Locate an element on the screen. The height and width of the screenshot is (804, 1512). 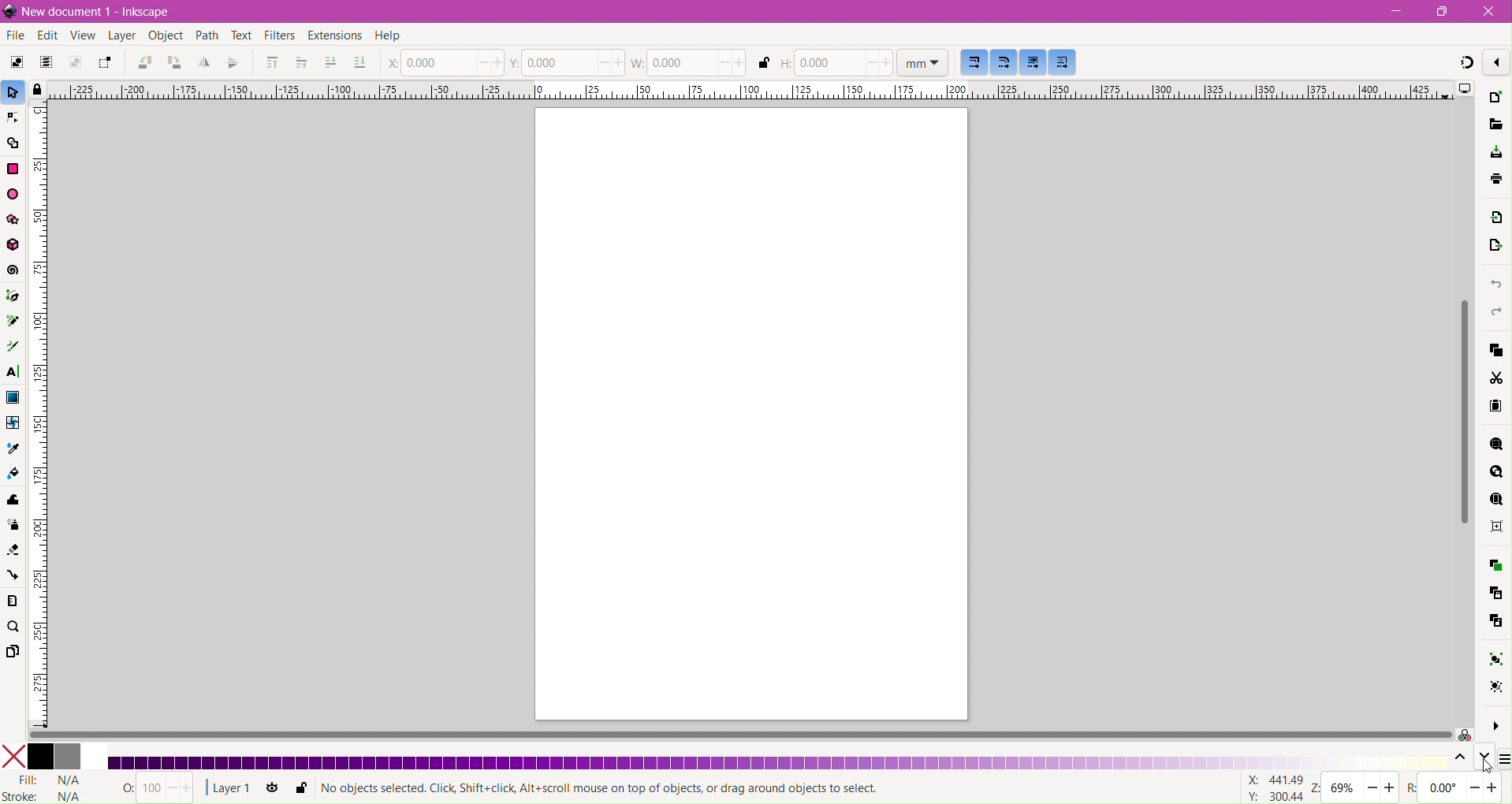
Zoom Tool is located at coordinates (16, 628).